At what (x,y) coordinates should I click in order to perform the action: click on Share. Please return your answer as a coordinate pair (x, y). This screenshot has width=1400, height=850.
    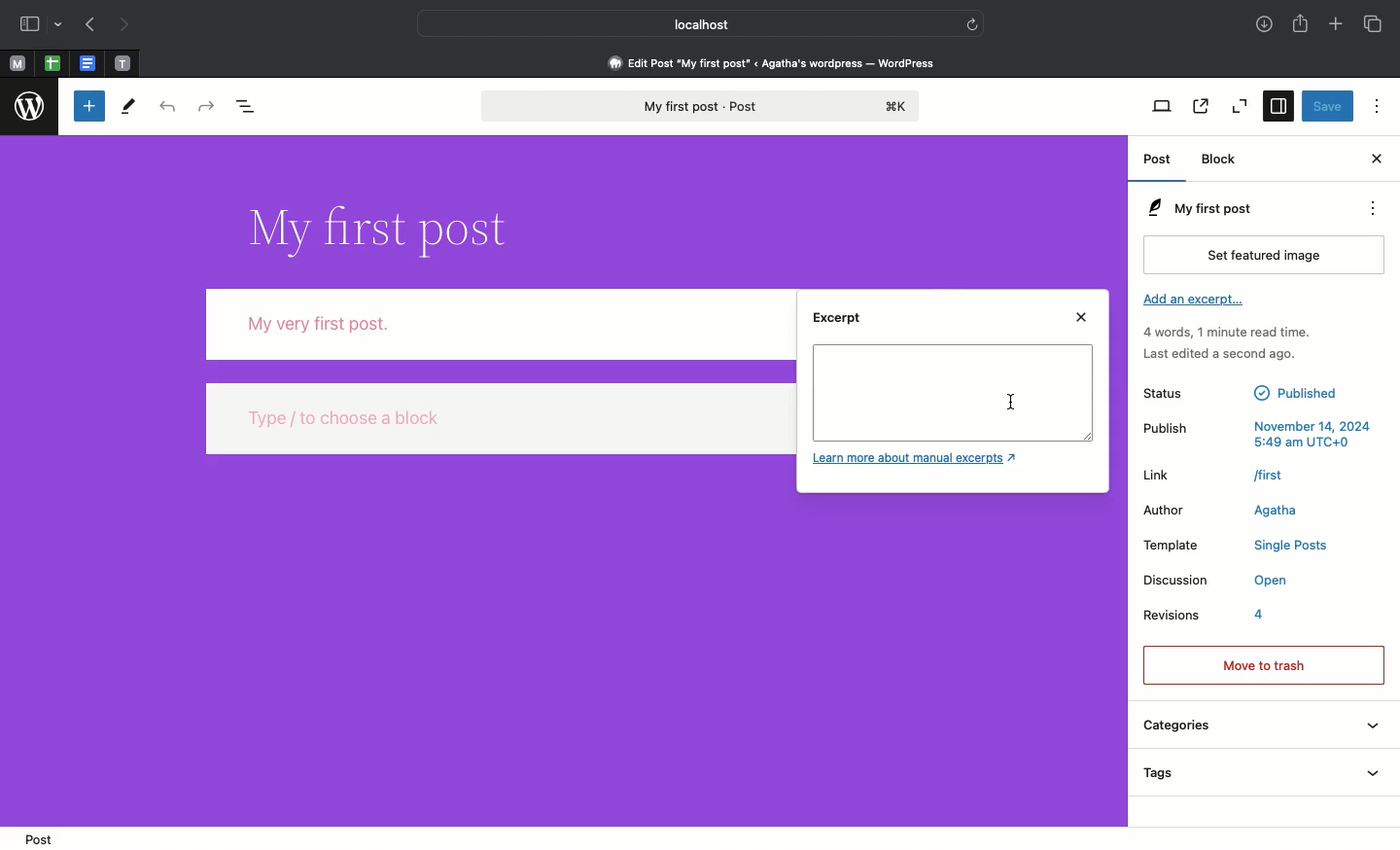
    Looking at the image, I should click on (1303, 25).